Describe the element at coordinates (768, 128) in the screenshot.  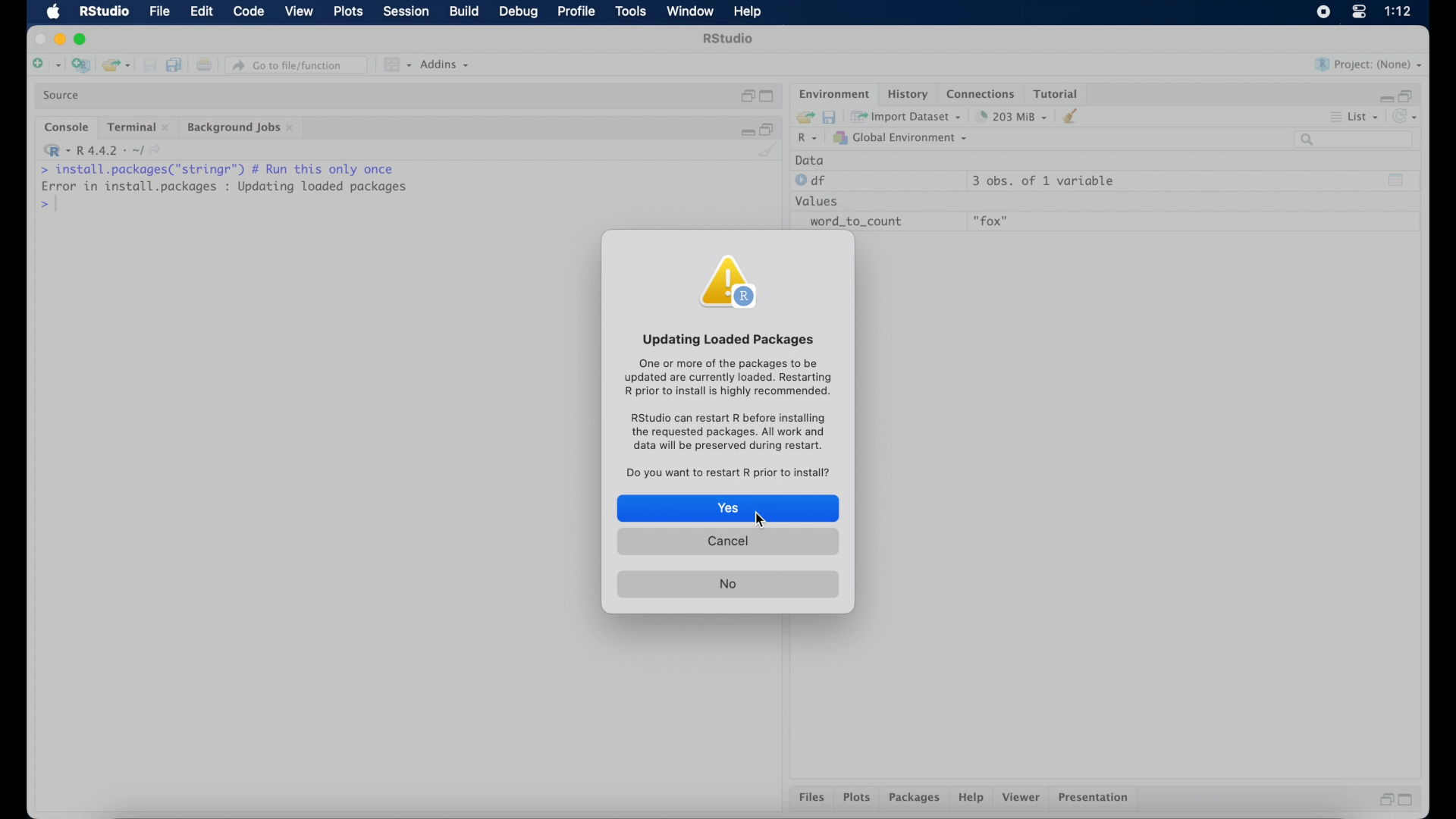
I see `restore down` at that location.